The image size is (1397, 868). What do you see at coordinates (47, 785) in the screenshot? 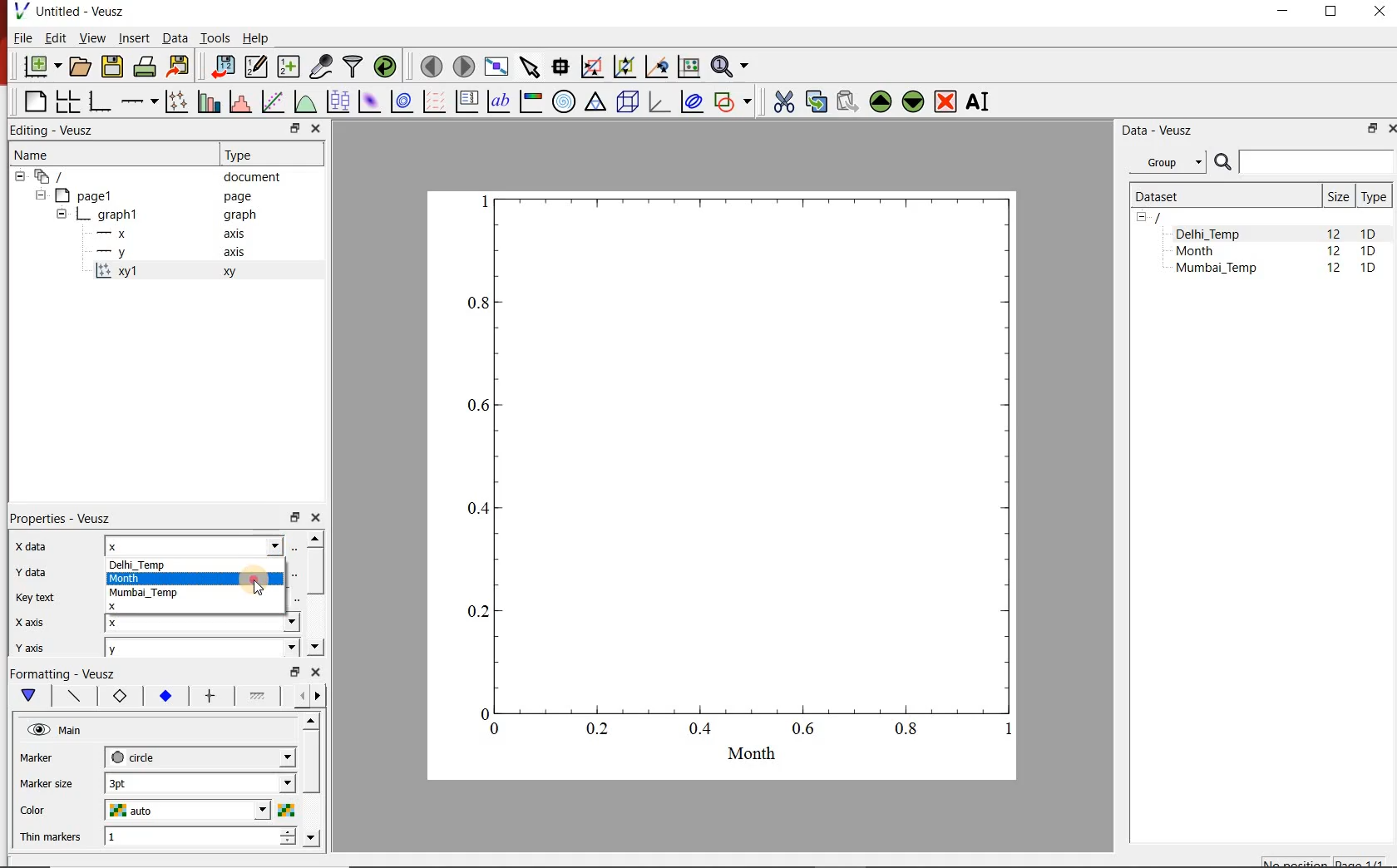
I see `Marker size` at bounding box center [47, 785].